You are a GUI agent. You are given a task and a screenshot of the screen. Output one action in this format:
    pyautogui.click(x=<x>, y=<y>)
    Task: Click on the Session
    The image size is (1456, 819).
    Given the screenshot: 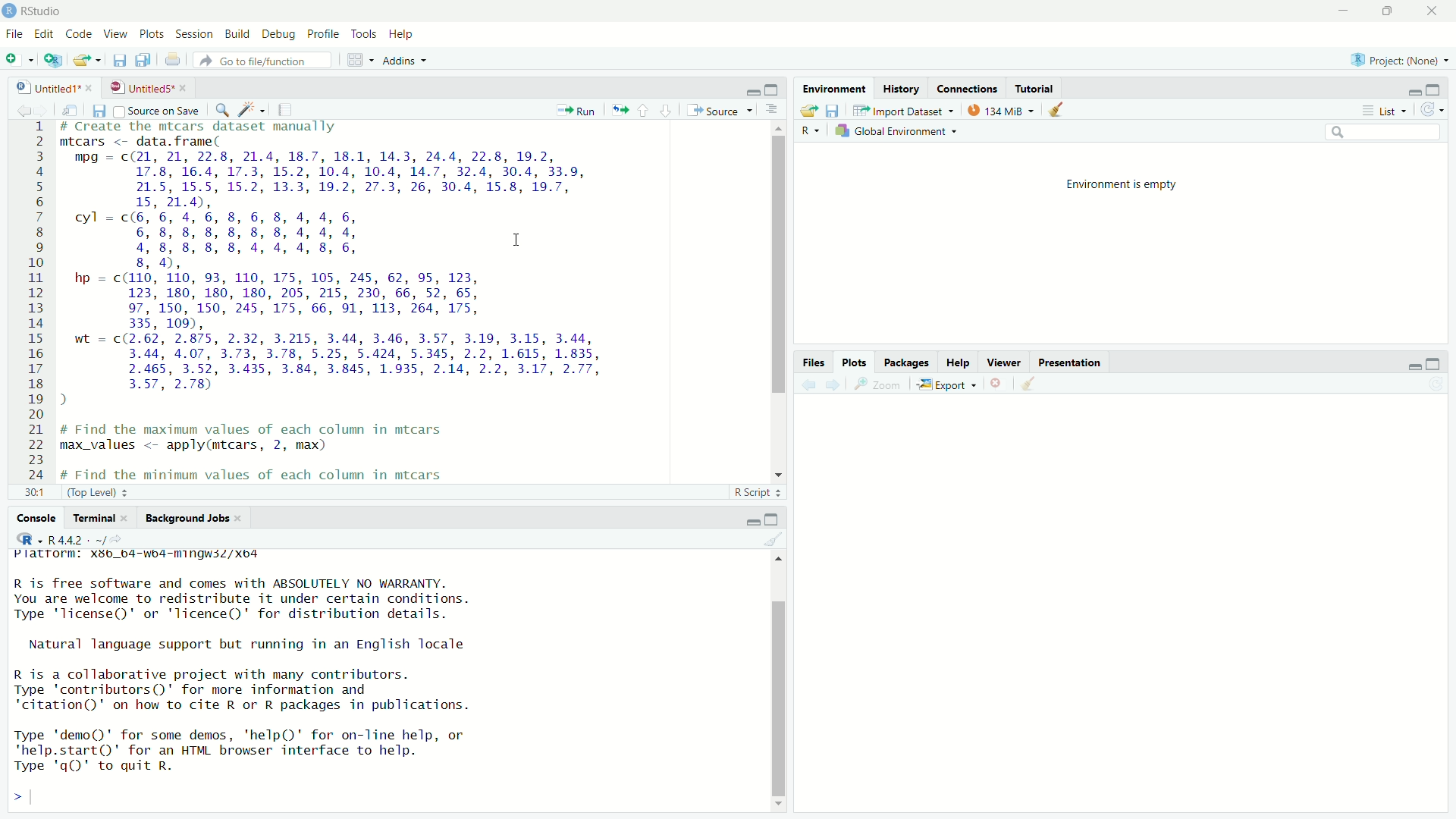 What is the action you would take?
    pyautogui.click(x=195, y=33)
    